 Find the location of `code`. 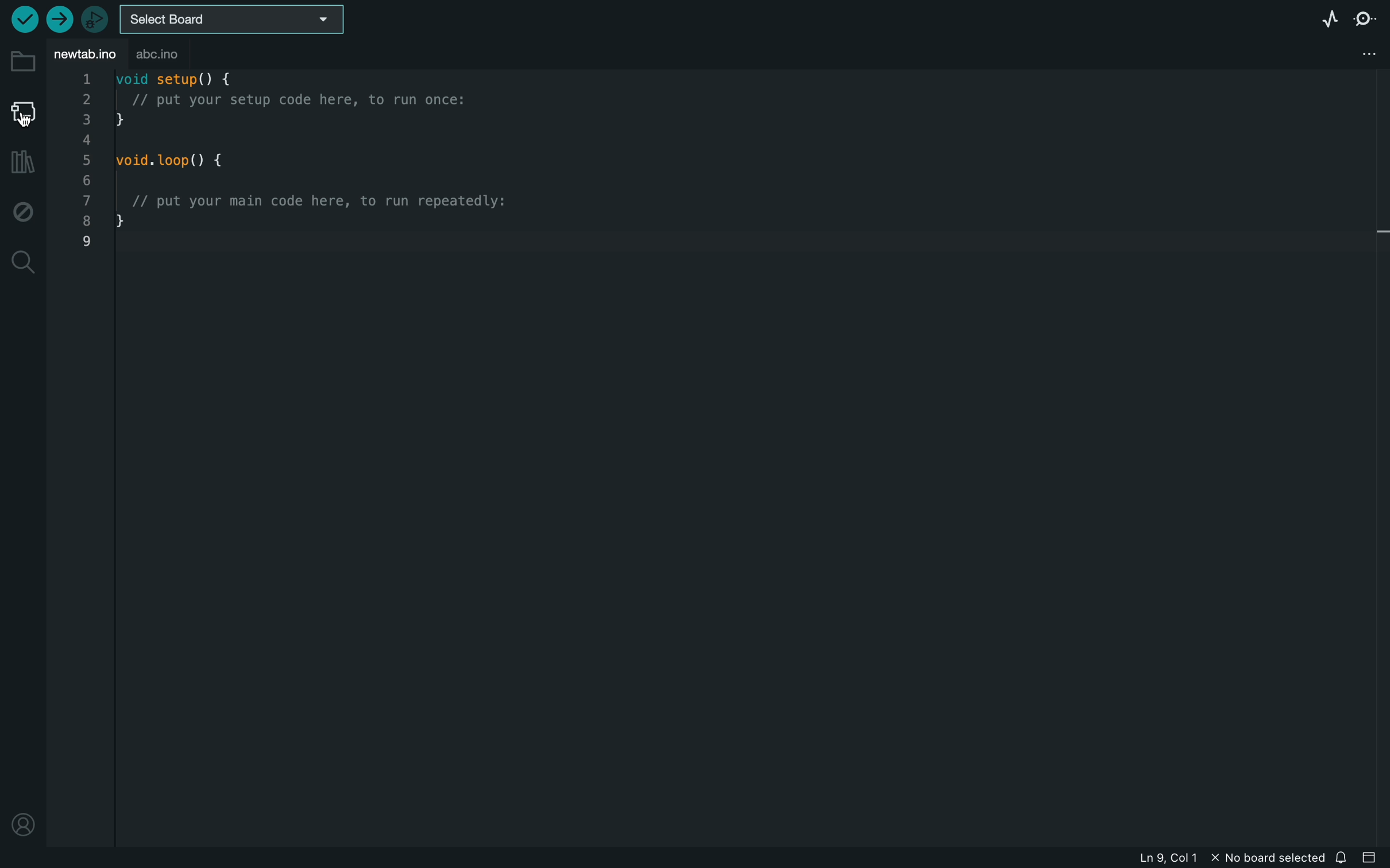

code is located at coordinates (310, 169).